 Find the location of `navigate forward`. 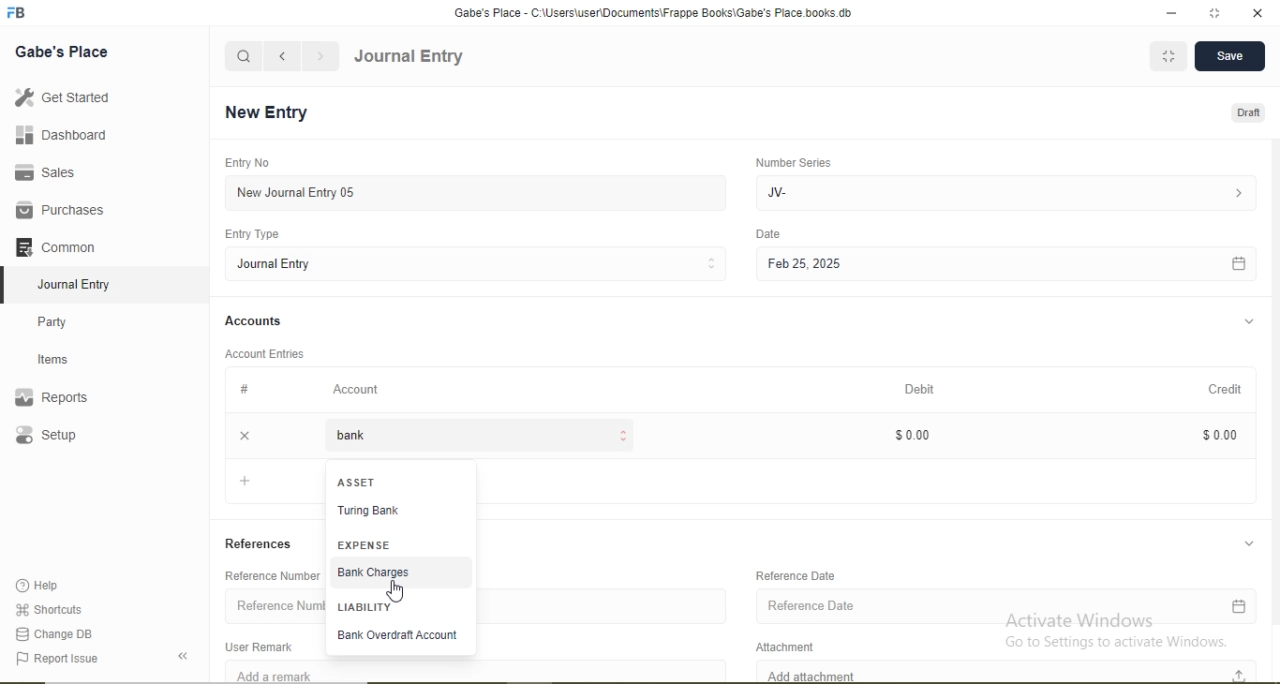

navigate forward is located at coordinates (322, 56).